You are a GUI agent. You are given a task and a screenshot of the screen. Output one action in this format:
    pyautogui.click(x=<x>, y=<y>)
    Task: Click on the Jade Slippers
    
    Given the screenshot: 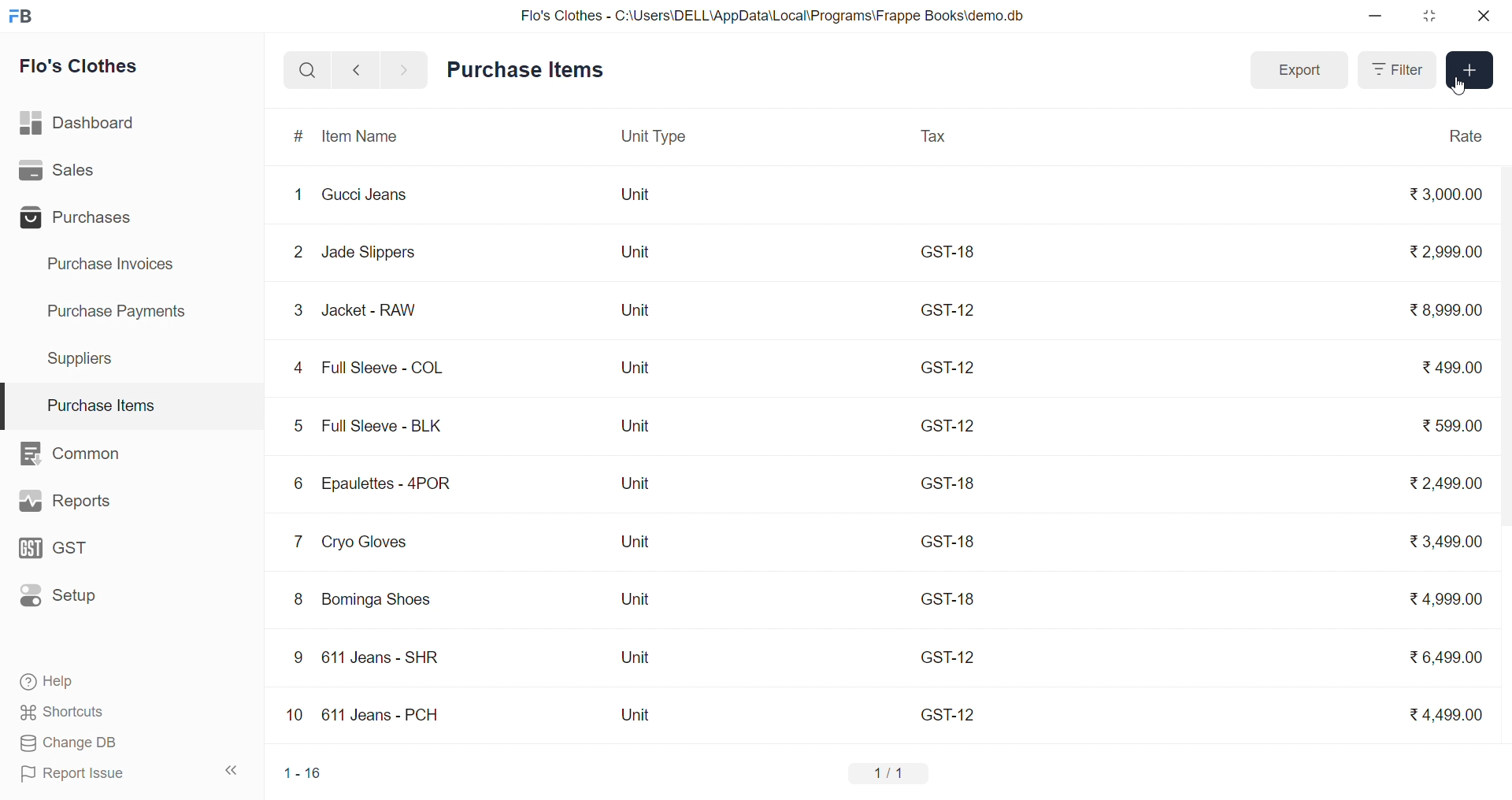 What is the action you would take?
    pyautogui.click(x=365, y=252)
    